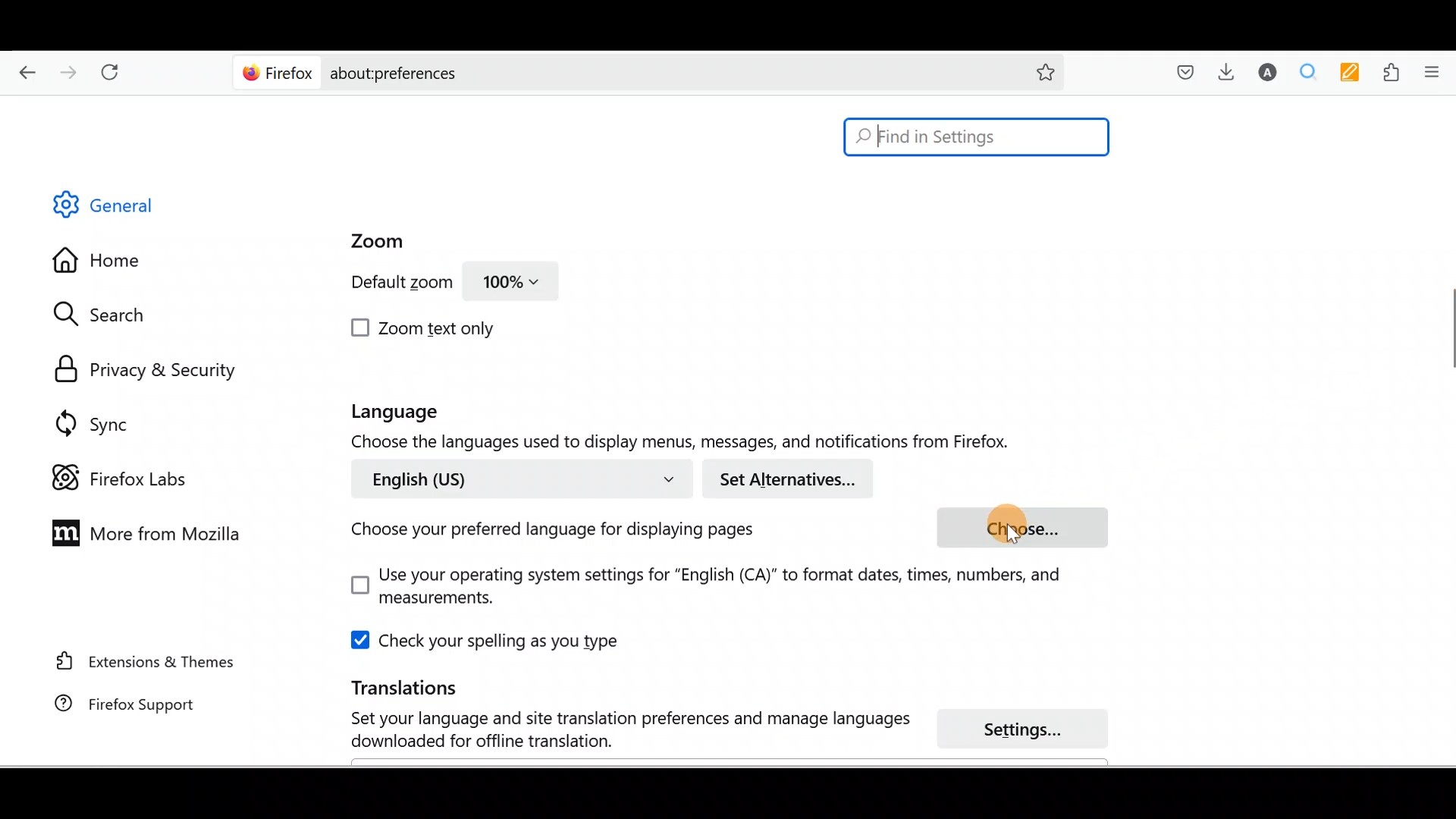  Describe the element at coordinates (547, 533) in the screenshot. I see `Choose your preferred language for displaying pages` at that location.